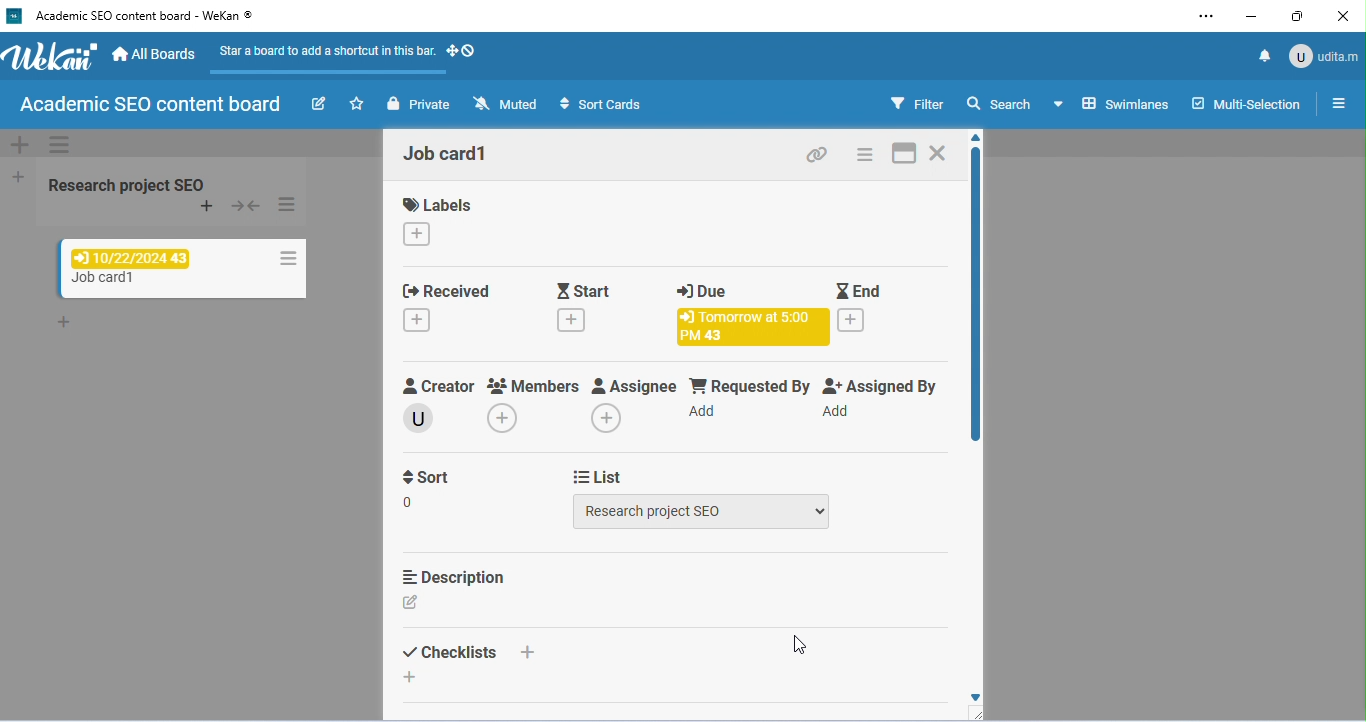 This screenshot has height=722, width=1366. Describe the element at coordinates (533, 382) in the screenshot. I see `members` at that location.